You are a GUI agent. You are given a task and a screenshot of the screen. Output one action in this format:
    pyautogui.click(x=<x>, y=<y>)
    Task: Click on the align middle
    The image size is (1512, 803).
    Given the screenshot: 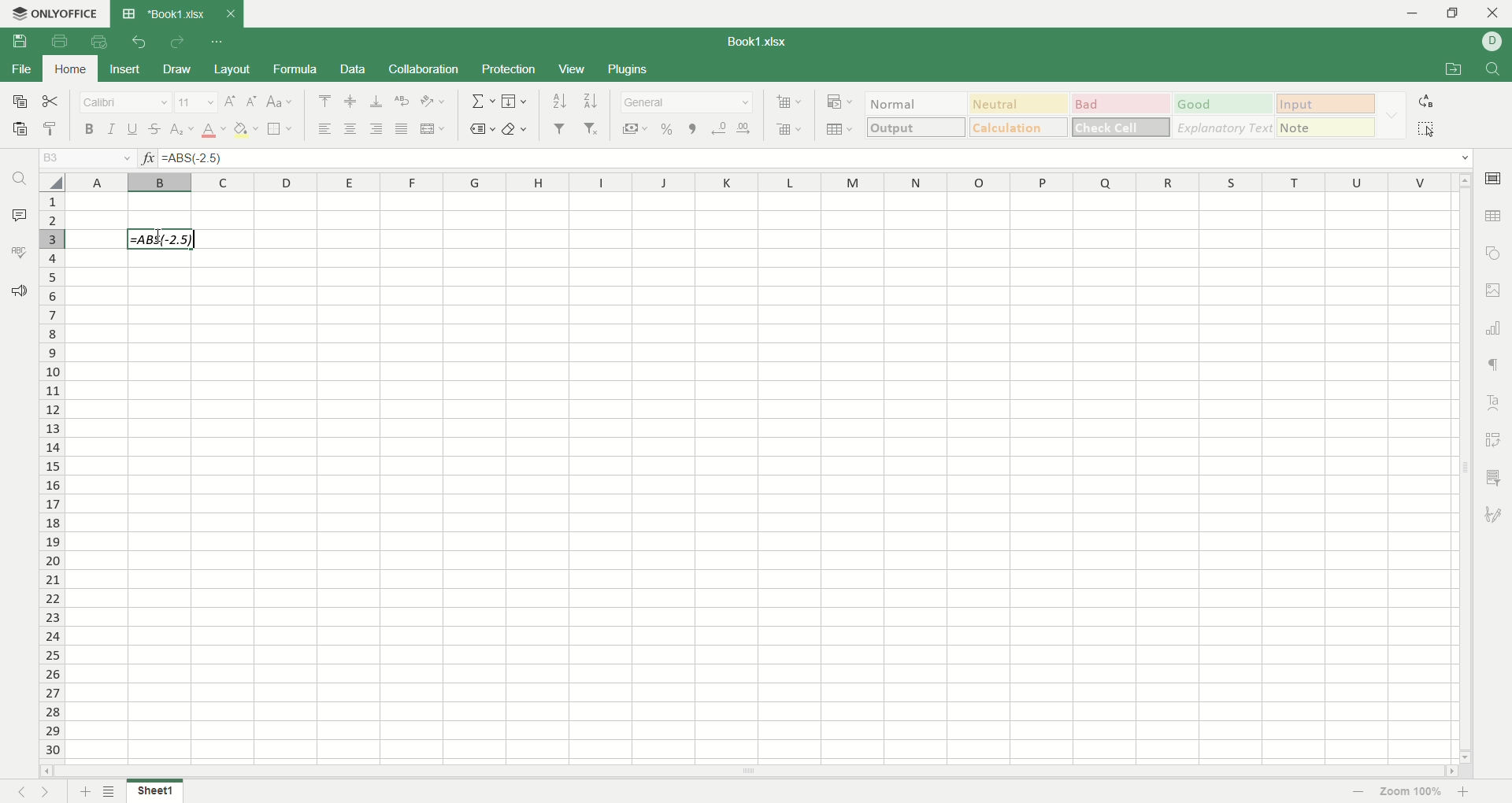 What is the action you would take?
    pyautogui.click(x=353, y=102)
    